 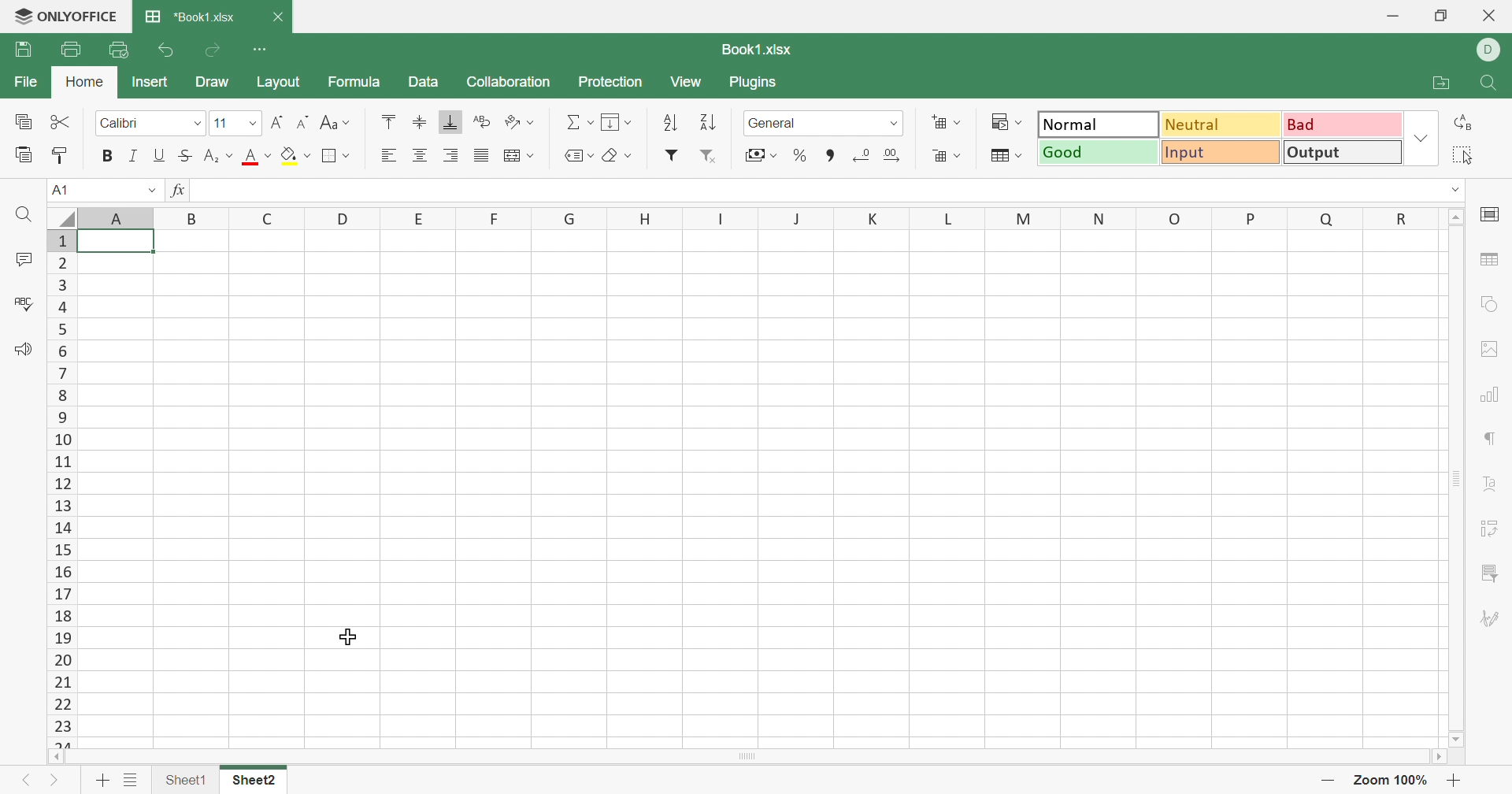 I want to click on P, so click(x=1257, y=217).